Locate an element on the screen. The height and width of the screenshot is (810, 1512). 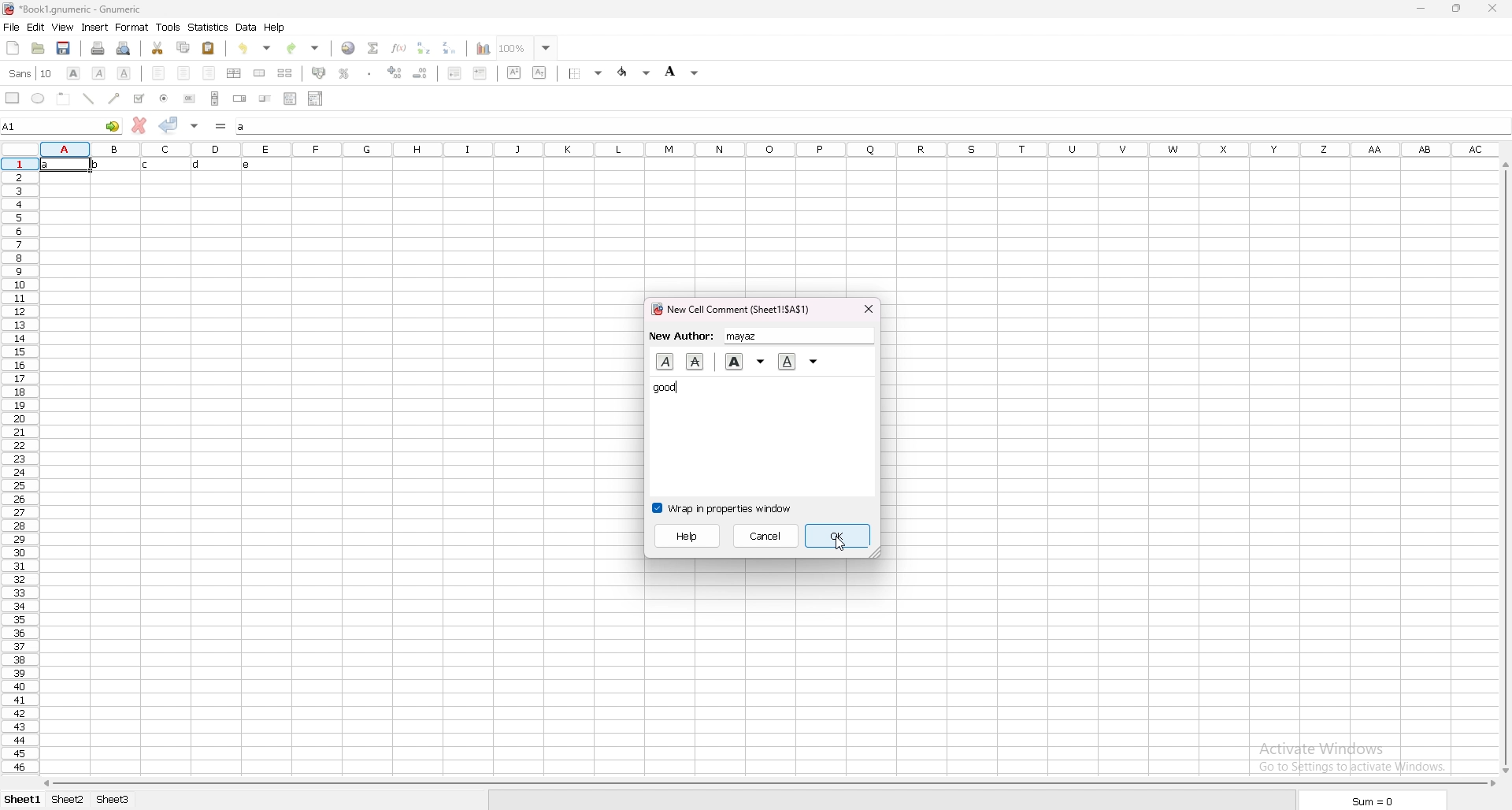
decrease decimals is located at coordinates (421, 73).